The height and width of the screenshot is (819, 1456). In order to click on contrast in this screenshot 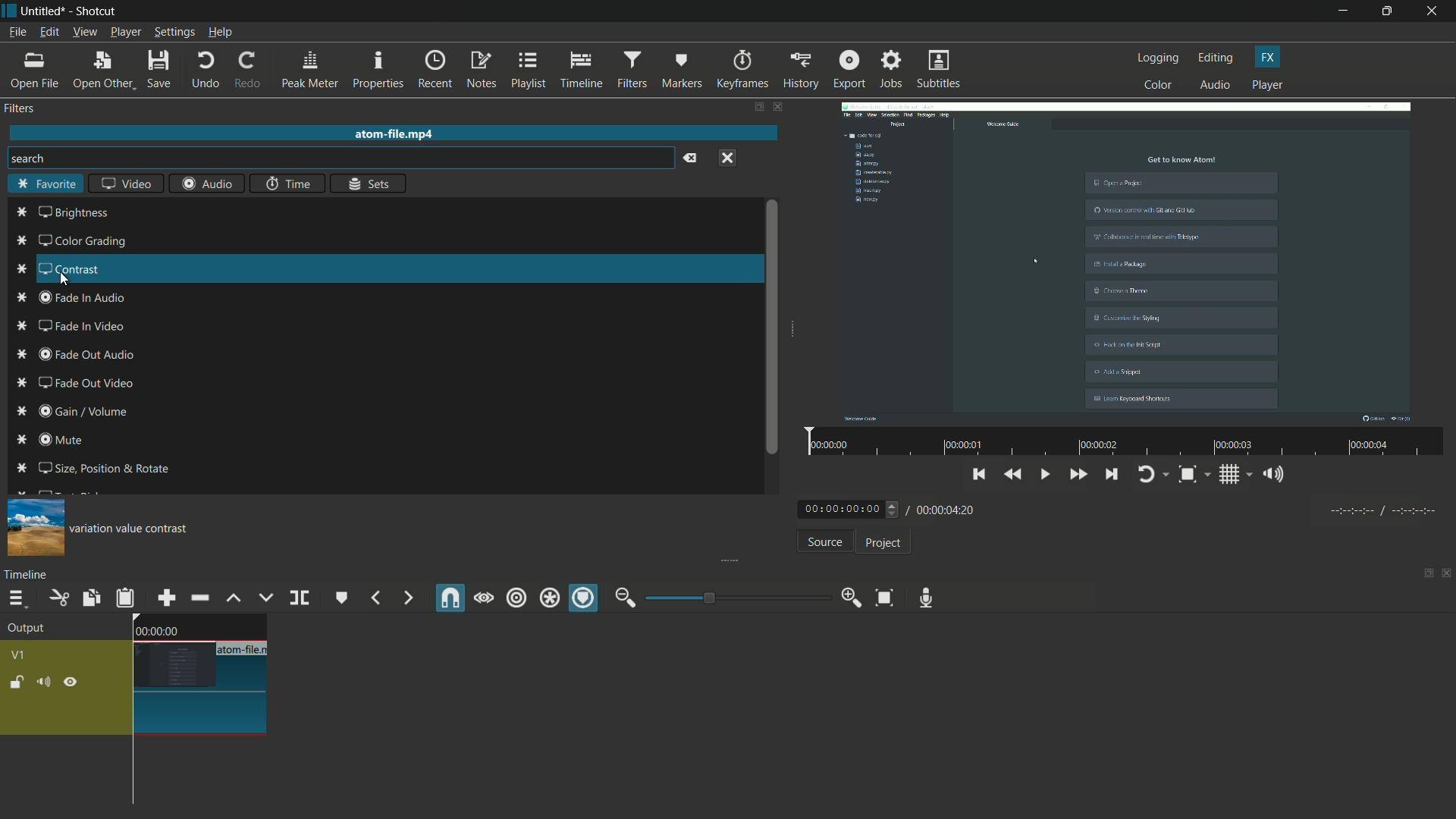, I will do `click(53, 268)`.